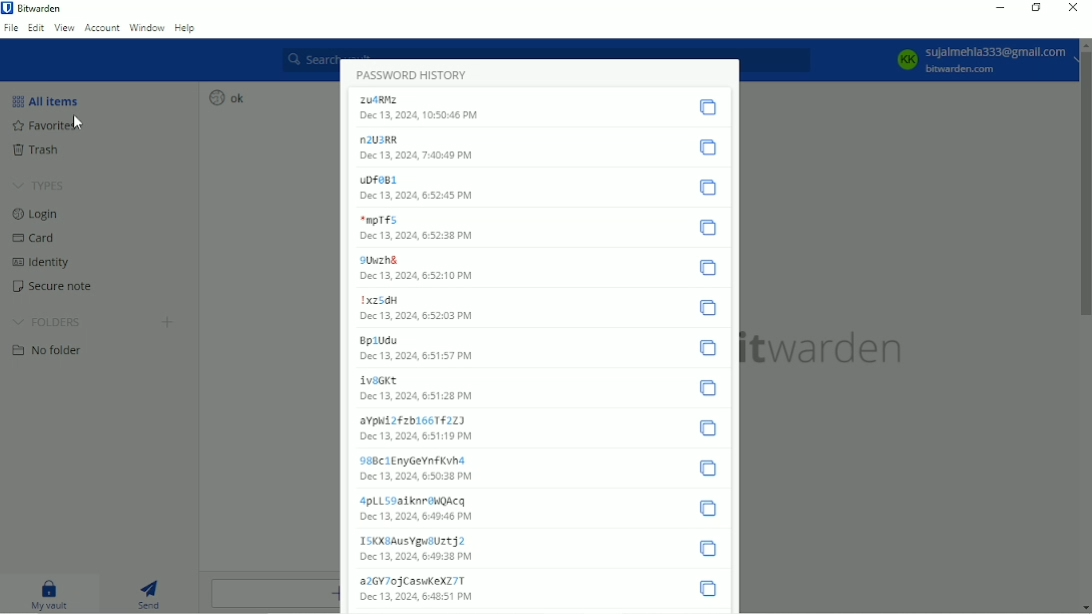  I want to click on Trash, so click(38, 151).